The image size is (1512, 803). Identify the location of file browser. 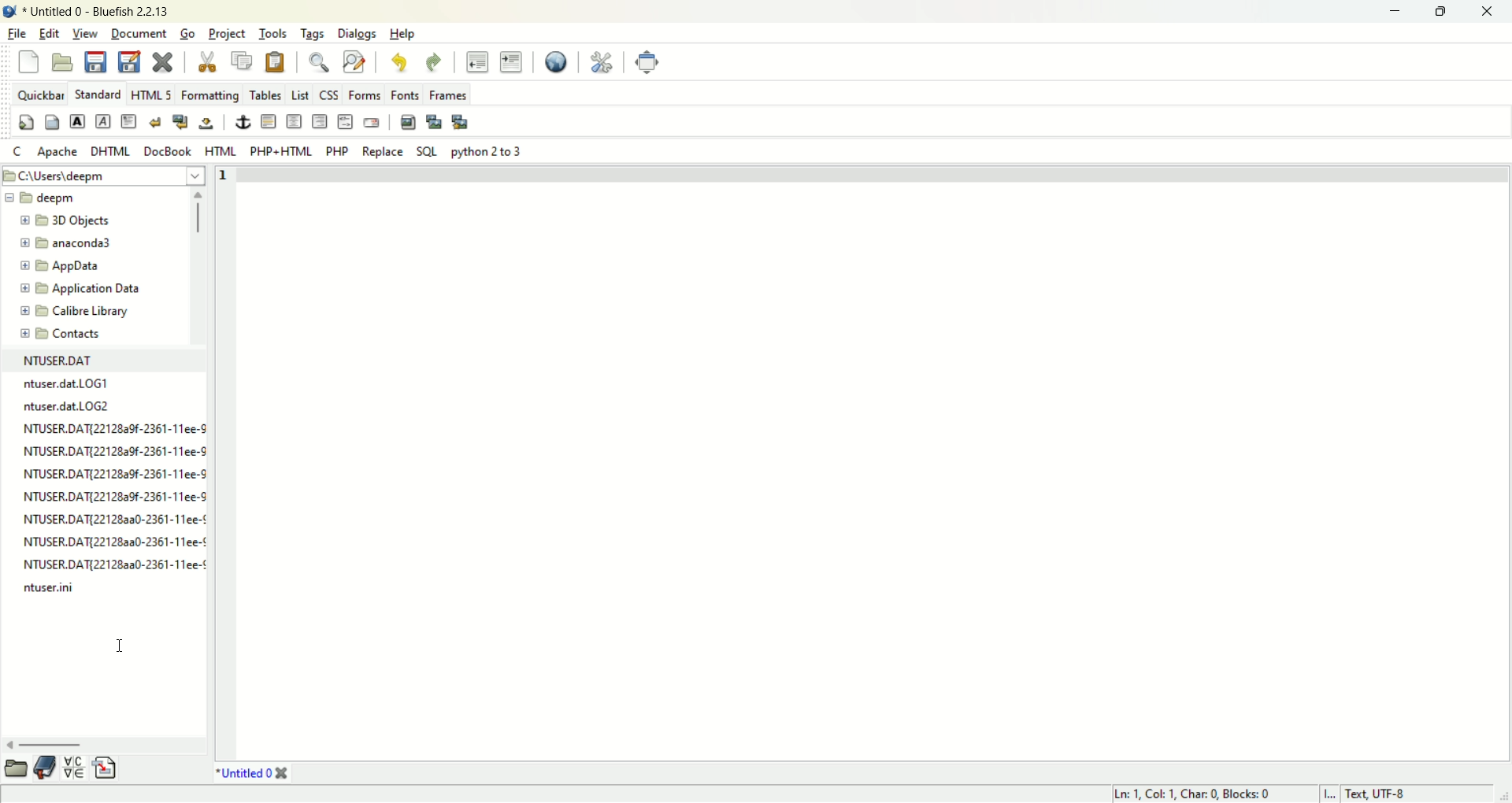
(18, 769).